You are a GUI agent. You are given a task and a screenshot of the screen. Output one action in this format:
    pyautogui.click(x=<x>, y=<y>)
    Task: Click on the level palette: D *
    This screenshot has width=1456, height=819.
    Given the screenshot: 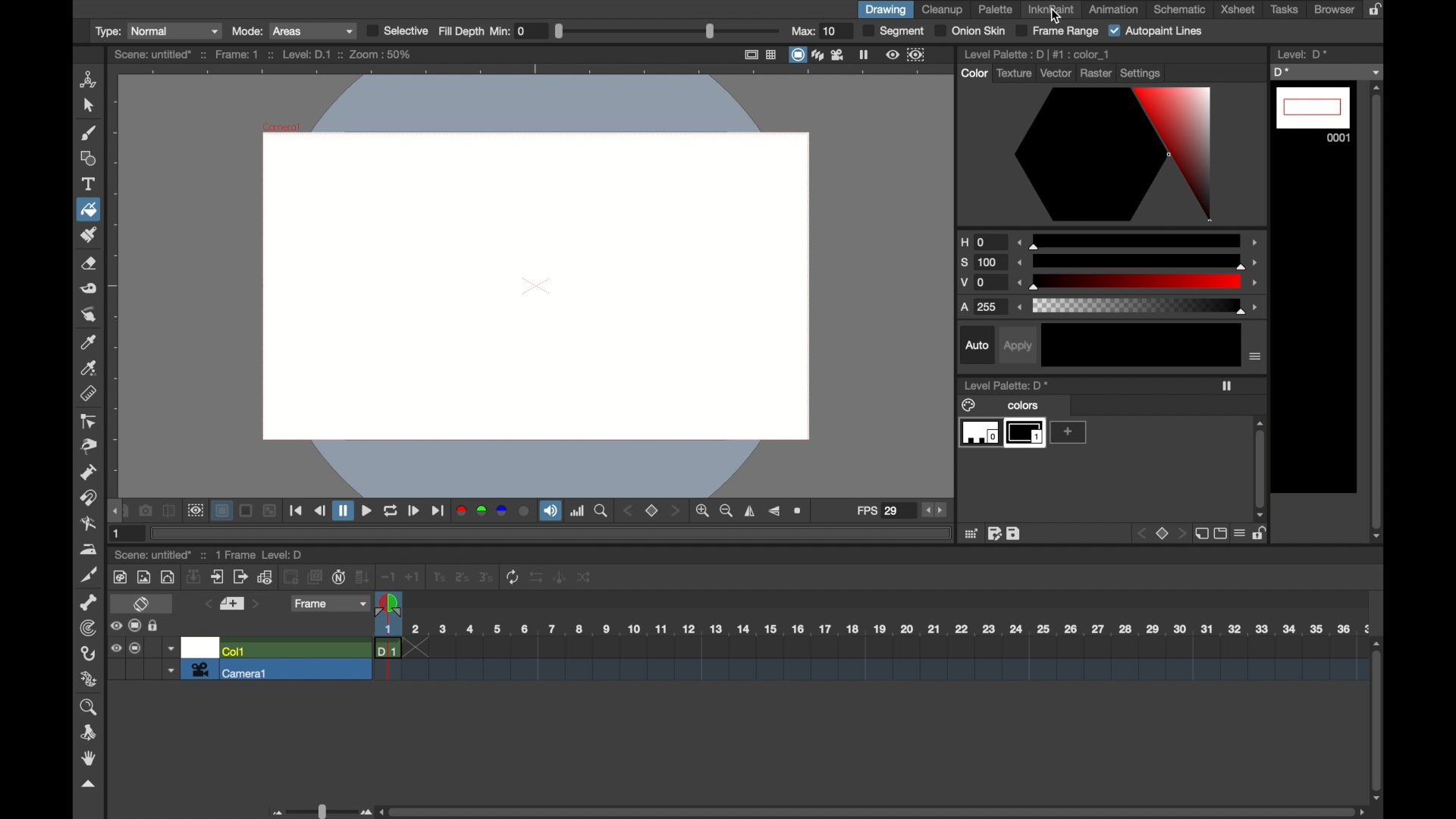 What is the action you would take?
    pyautogui.click(x=1006, y=384)
    